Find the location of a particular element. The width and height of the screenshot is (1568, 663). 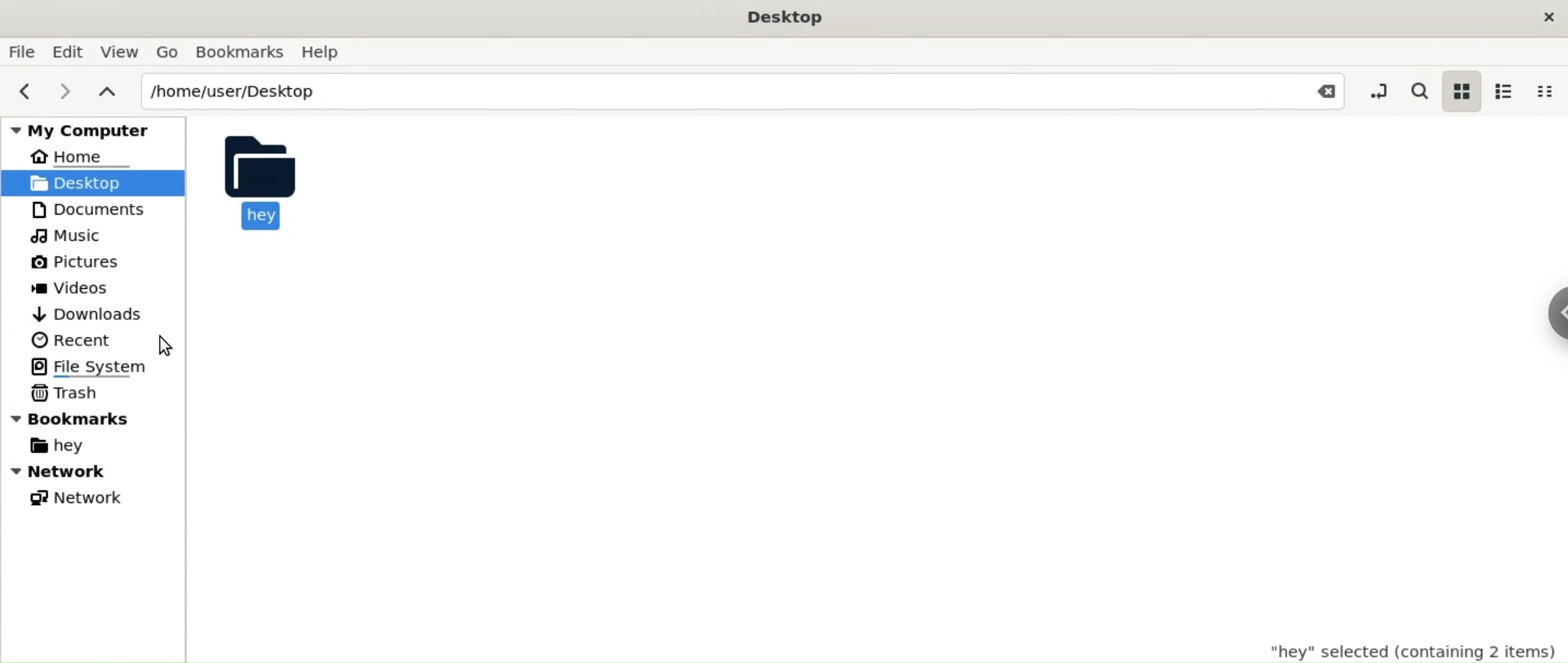

hey is located at coordinates (62, 447).